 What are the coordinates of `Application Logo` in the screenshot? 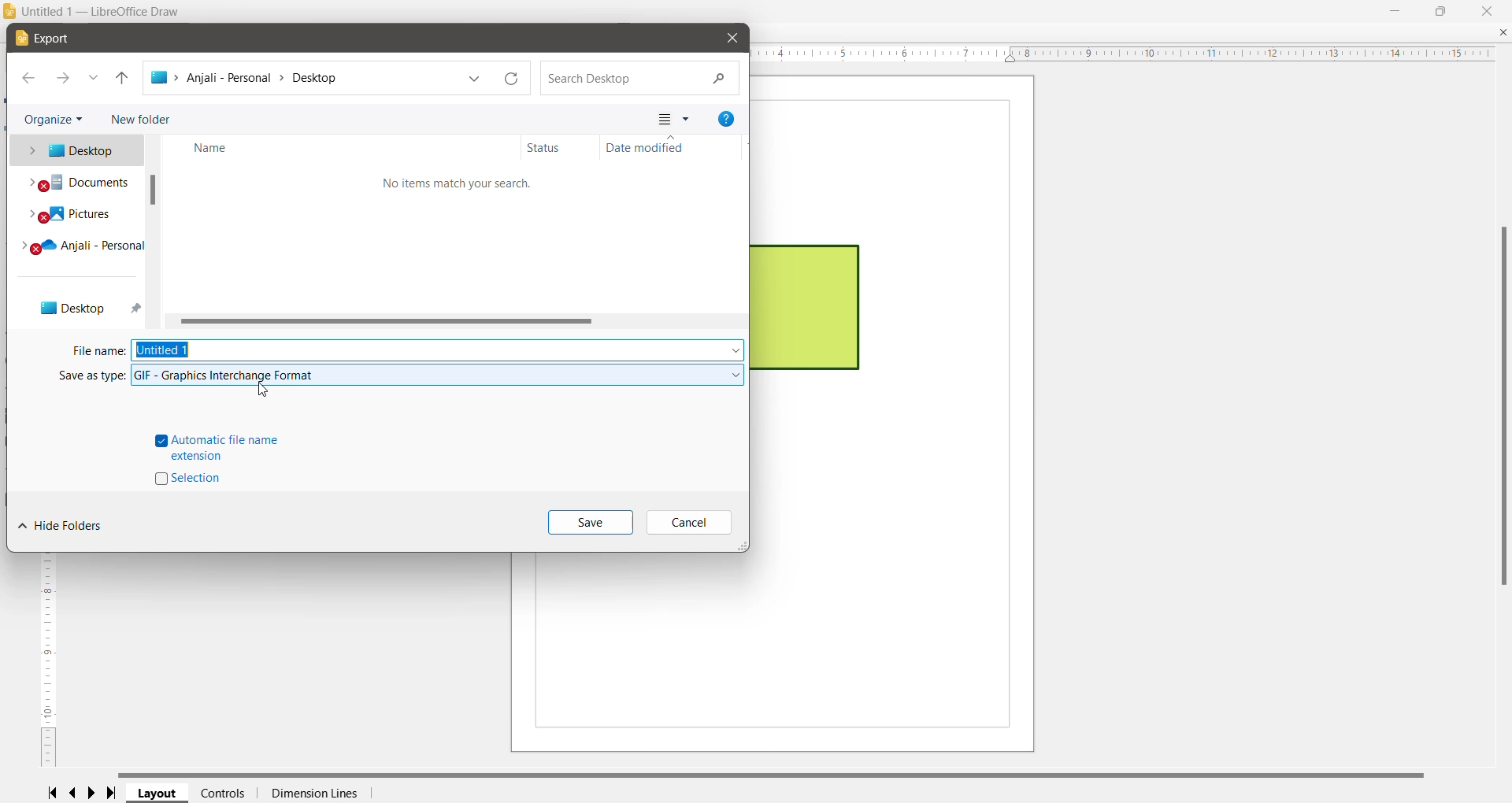 It's located at (10, 13).